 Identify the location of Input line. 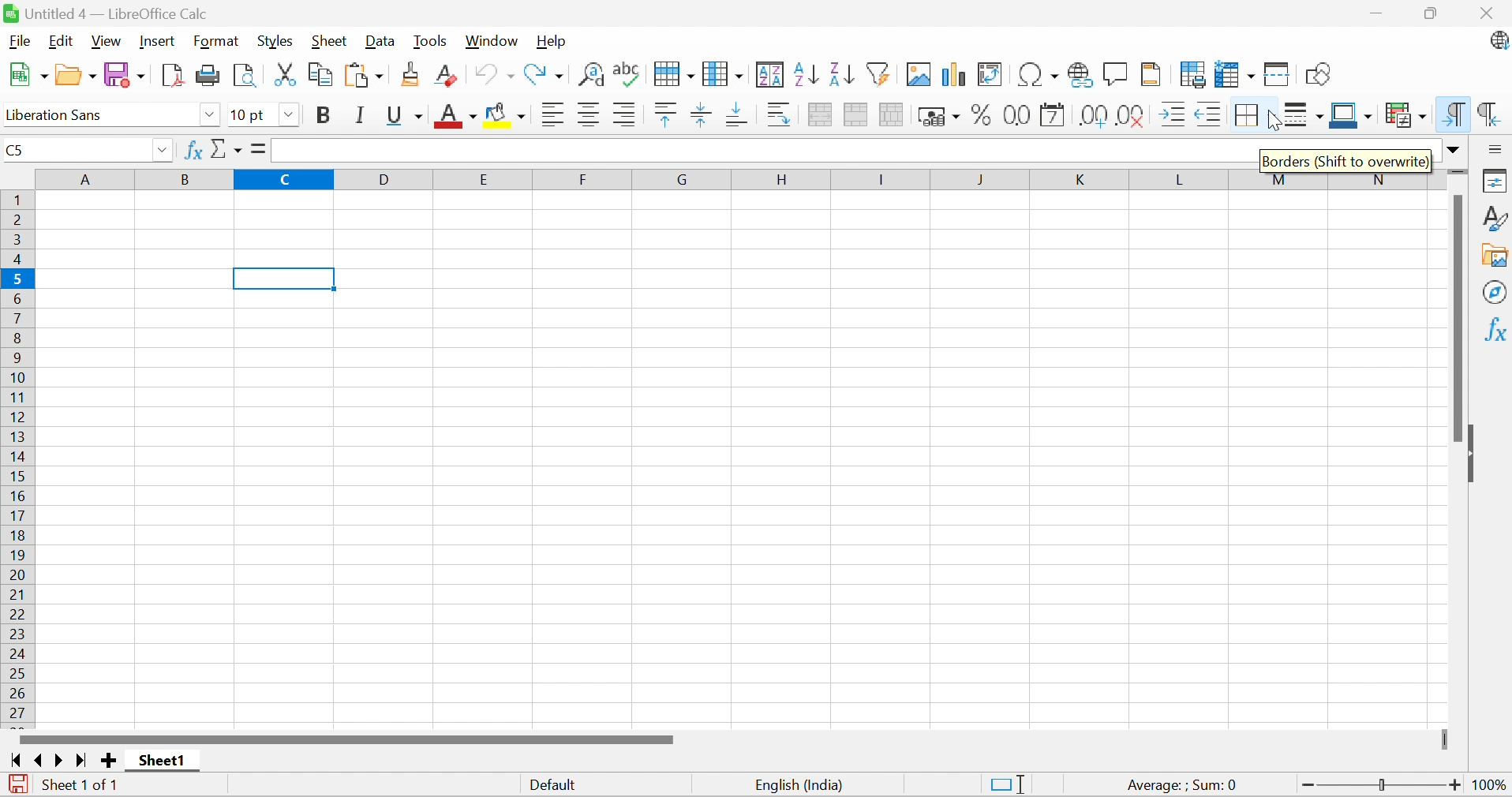
(763, 151).